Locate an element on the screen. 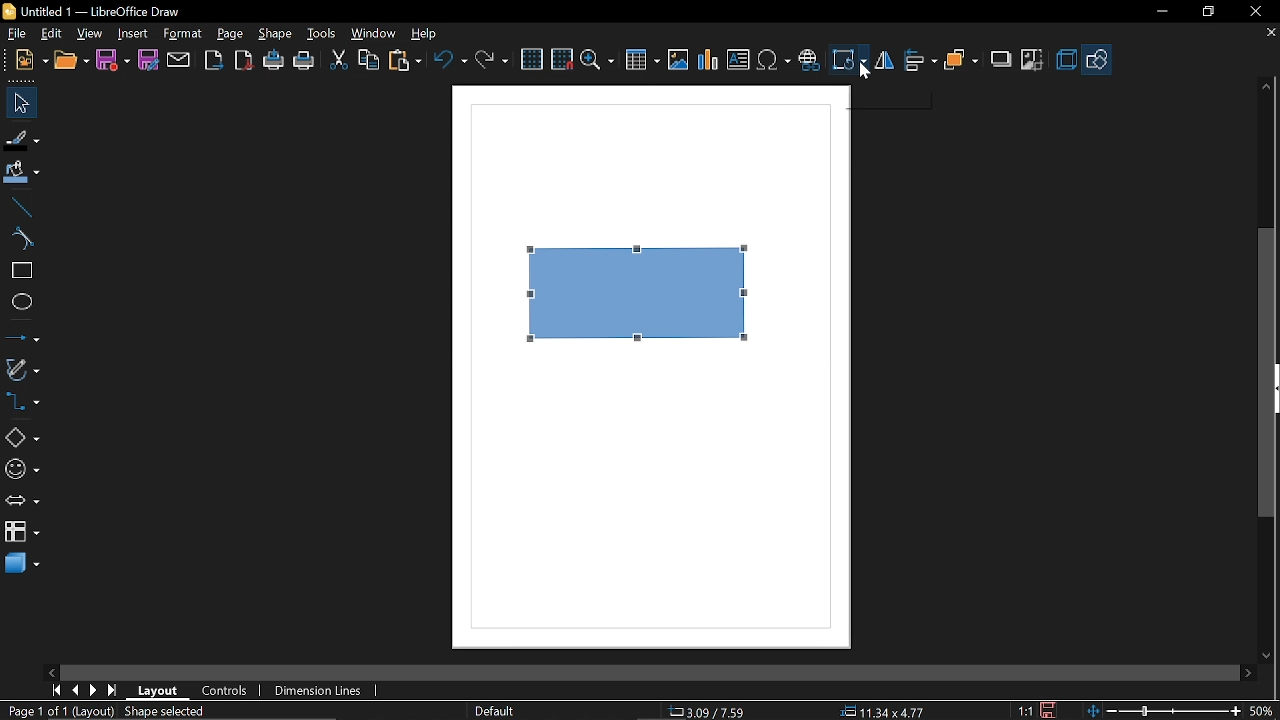 The height and width of the screenshot is (720, 1280). help is located at coordinates (424, 35).